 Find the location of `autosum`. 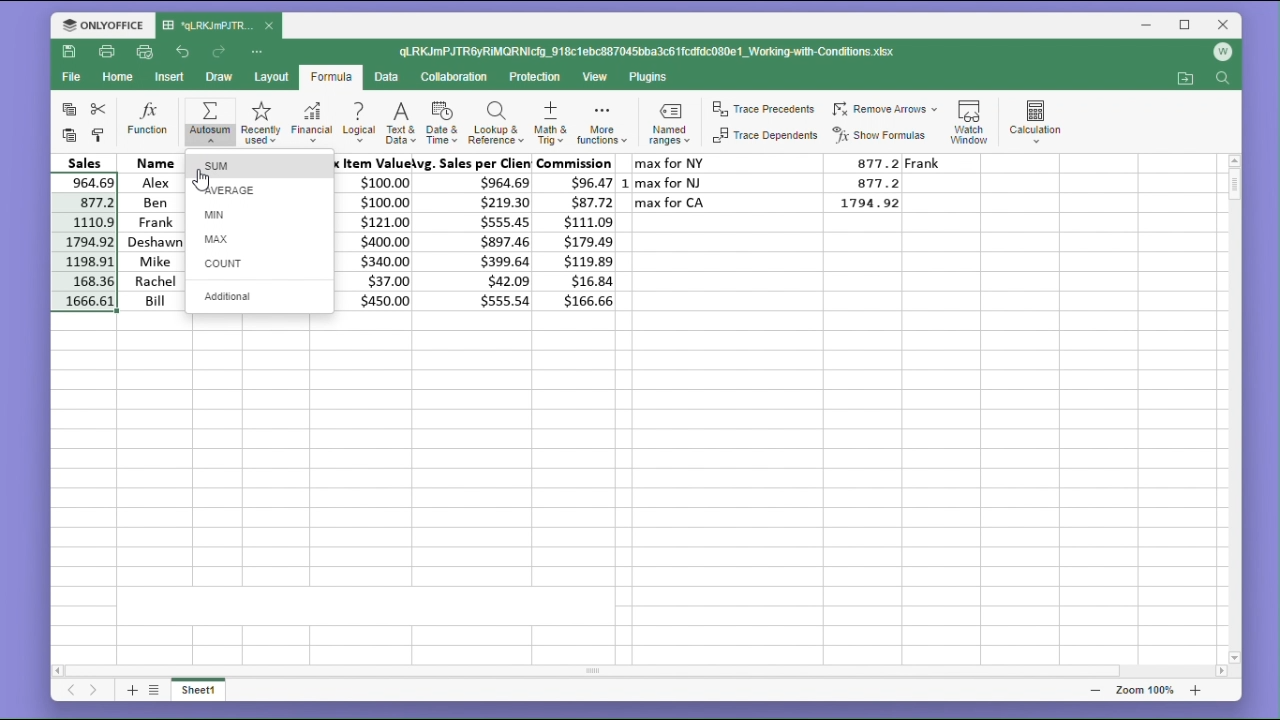

autosum is located at coordinates (210, 120).